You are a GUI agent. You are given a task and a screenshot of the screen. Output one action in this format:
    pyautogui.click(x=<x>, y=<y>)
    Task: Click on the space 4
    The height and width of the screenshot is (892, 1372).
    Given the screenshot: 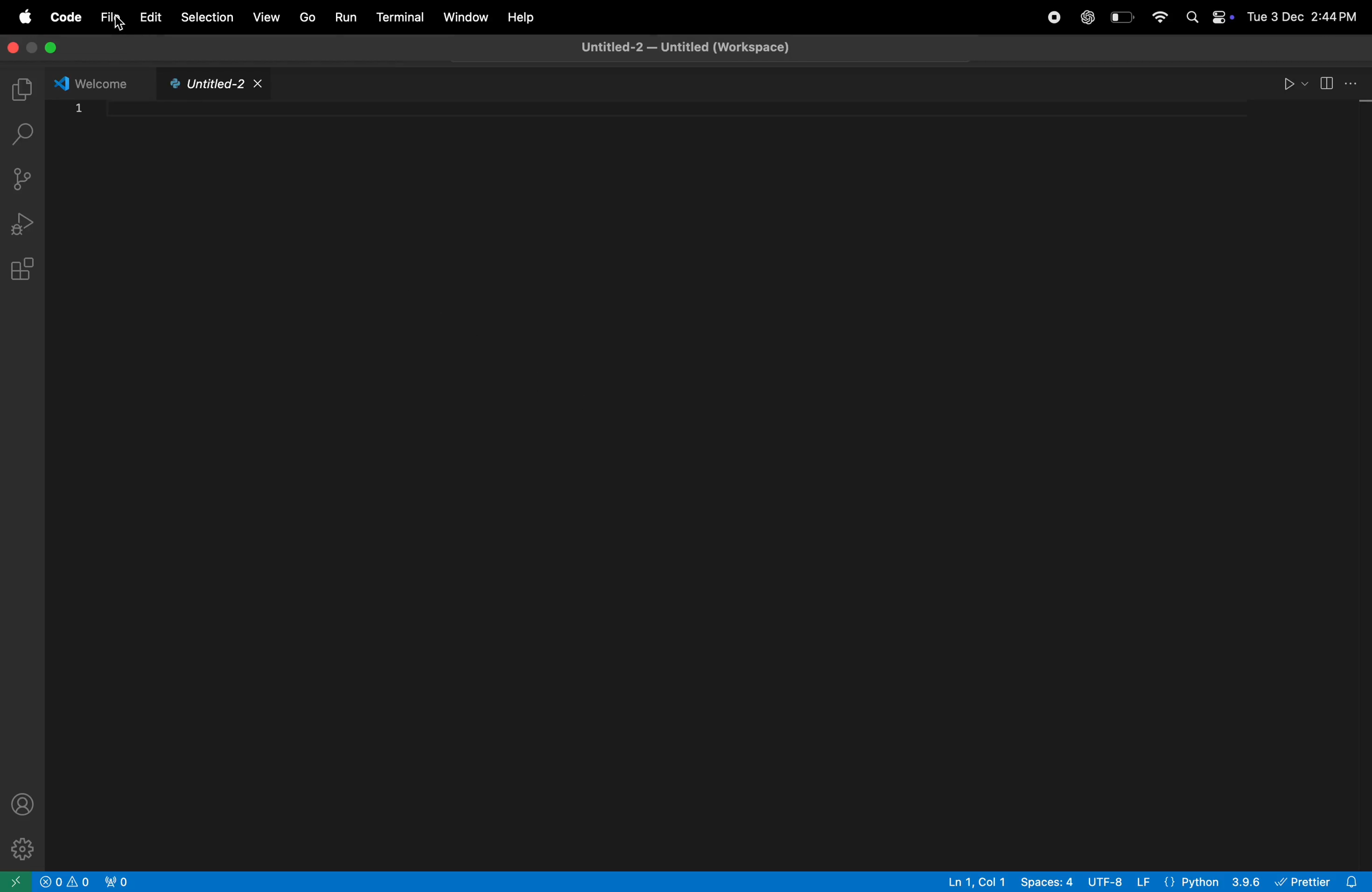 What is the action you would take?
    pyautogui.click(x=1048, y=882)
    